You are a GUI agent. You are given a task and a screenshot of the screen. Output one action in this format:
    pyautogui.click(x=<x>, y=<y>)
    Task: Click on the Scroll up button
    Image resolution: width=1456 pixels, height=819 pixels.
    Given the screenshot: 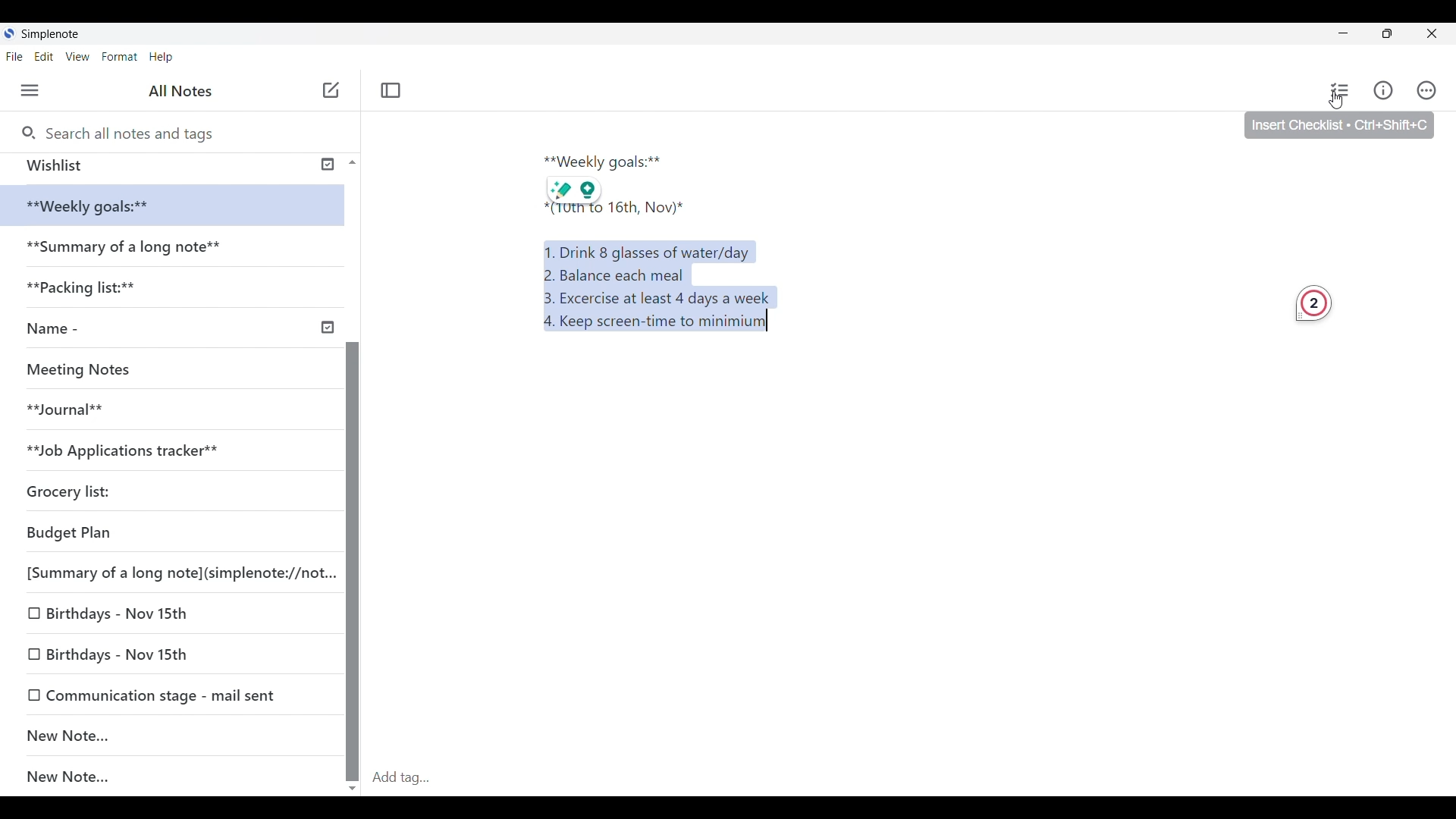 What is the action you would take?
    pyautogui.click(x=348, y=162)
    